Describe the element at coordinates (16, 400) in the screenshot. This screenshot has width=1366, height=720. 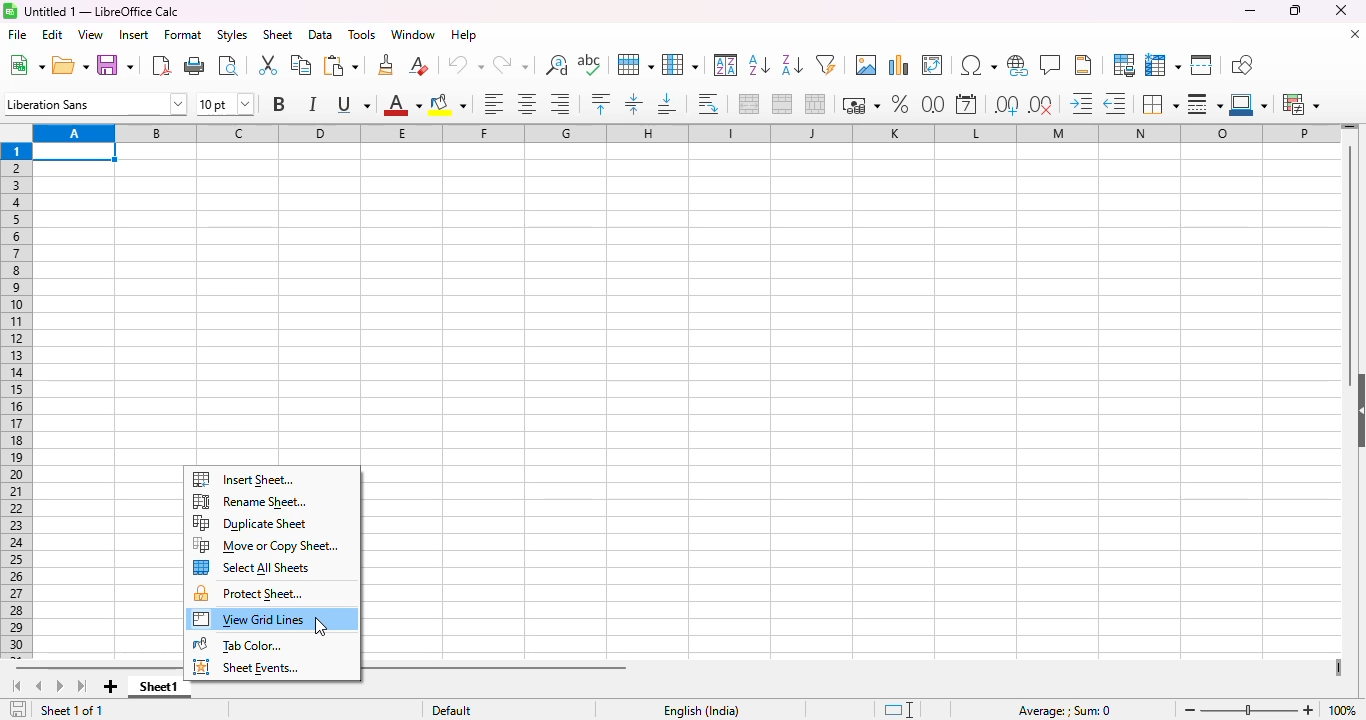
I see `rows` at that location.